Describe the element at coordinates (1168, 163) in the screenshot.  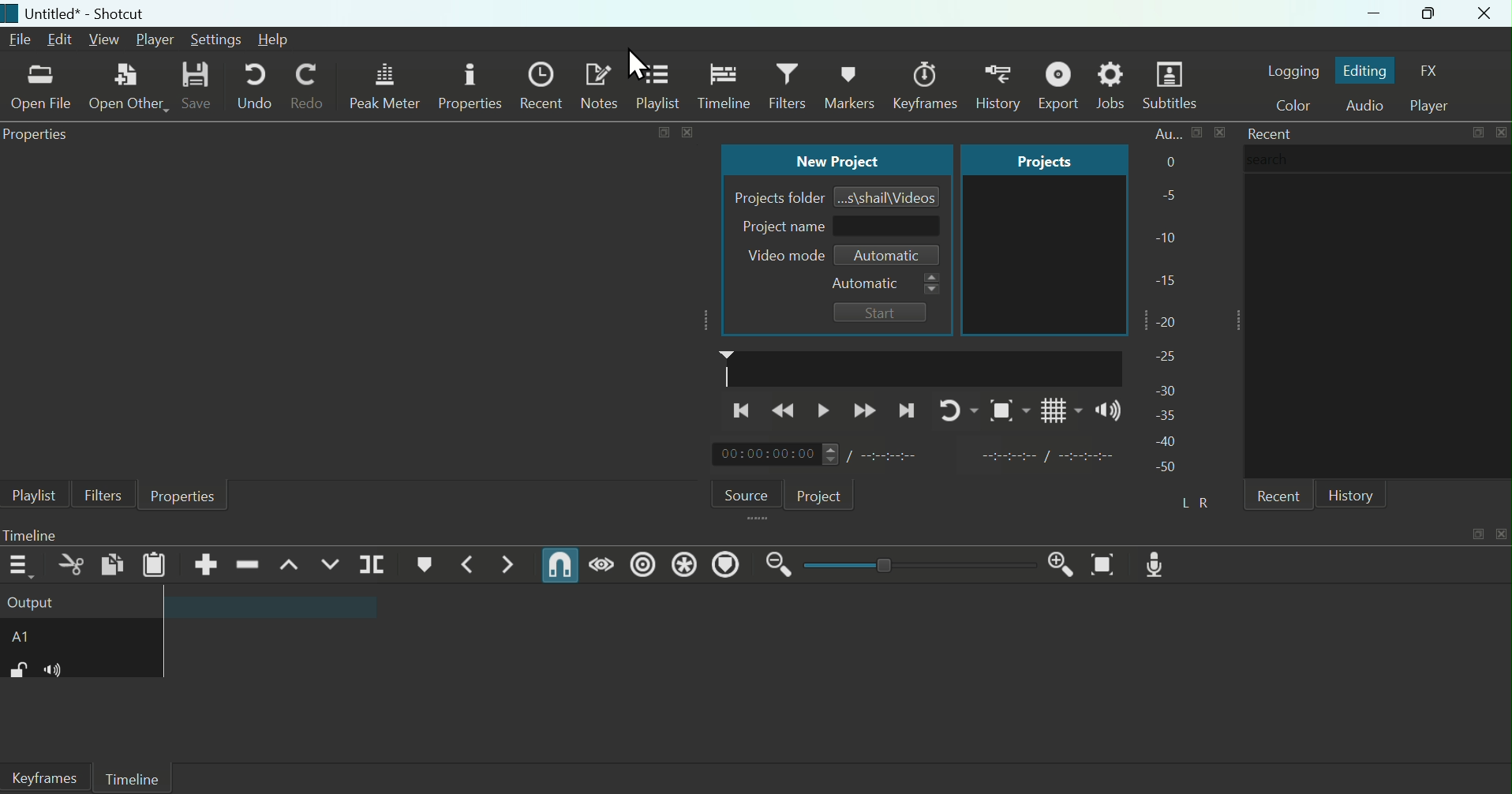
I see `0` at that location.